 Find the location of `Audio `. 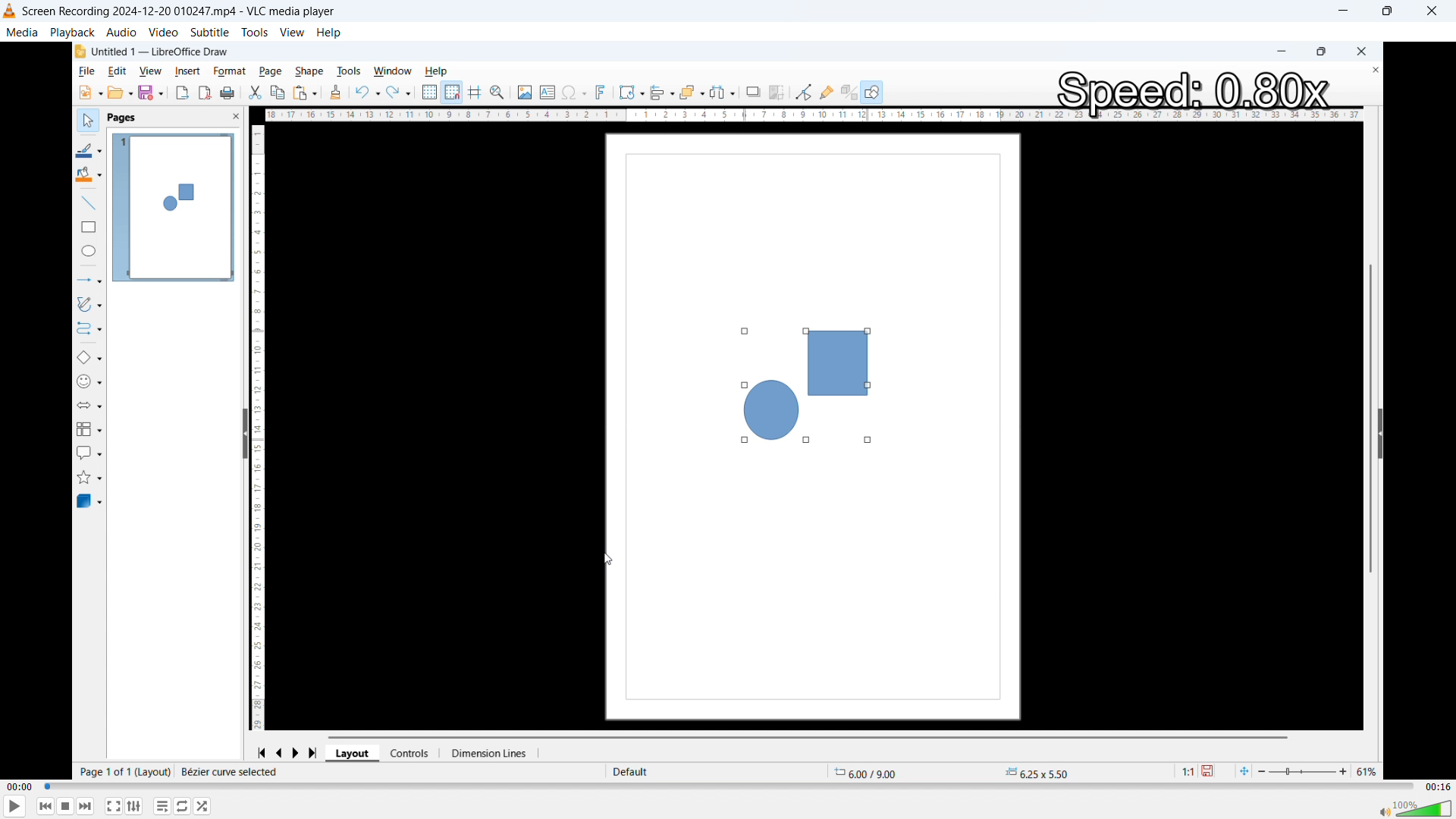

Audio  is located at coordinates (122, 32).